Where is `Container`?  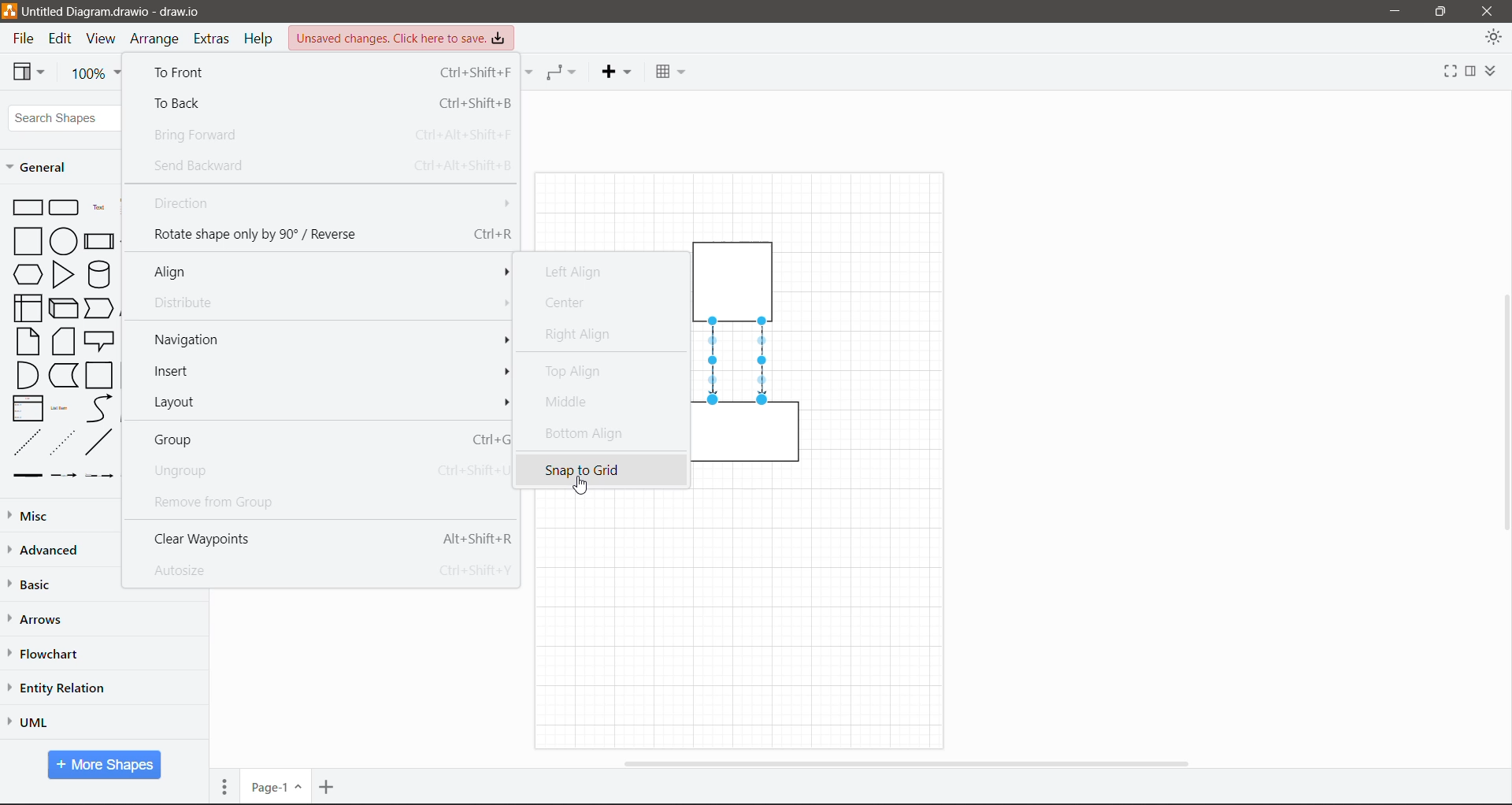
Container is located at coordinates (100, 376).